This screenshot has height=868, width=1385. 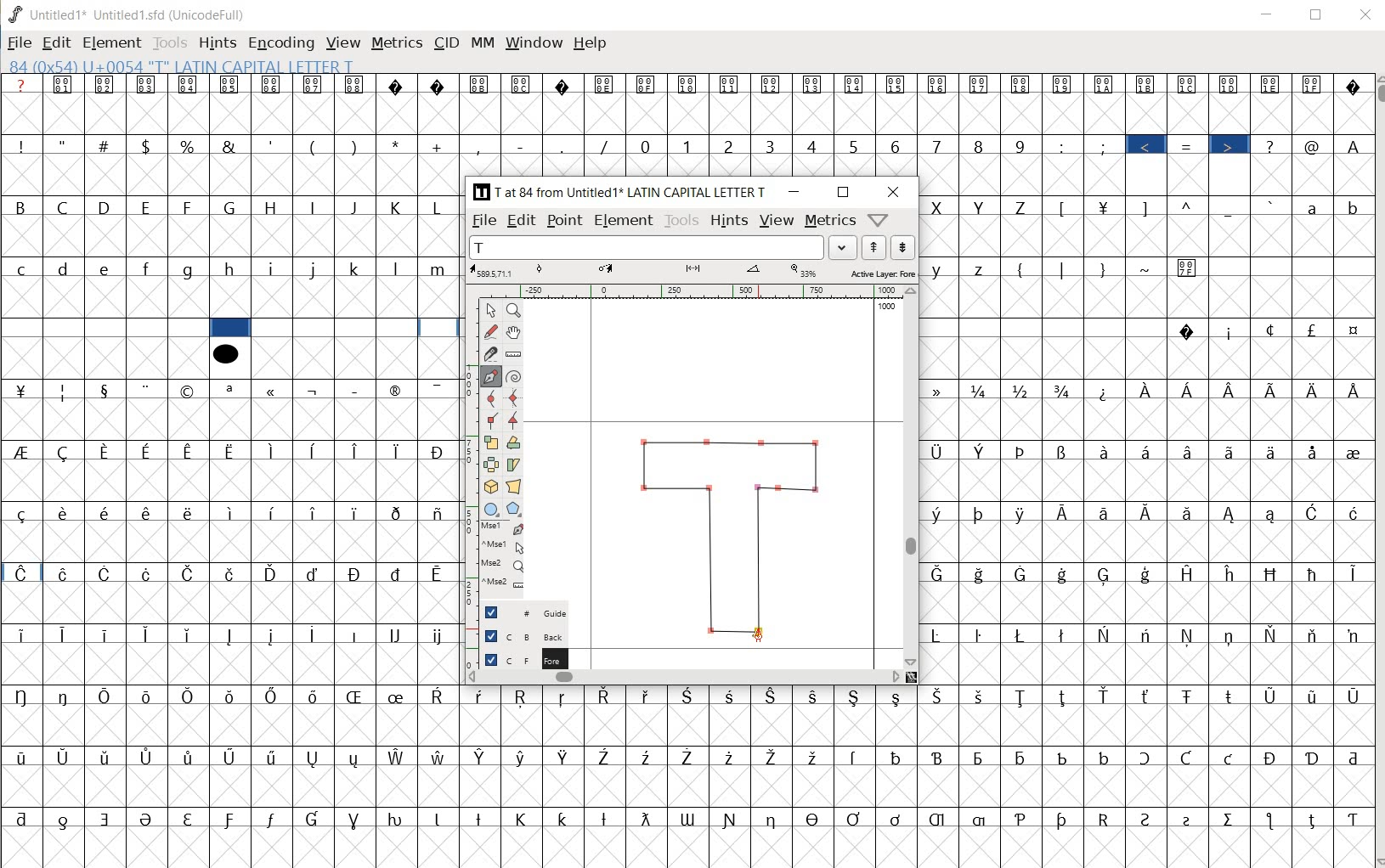 I want to click on maximize, so click(x=845, y=194).